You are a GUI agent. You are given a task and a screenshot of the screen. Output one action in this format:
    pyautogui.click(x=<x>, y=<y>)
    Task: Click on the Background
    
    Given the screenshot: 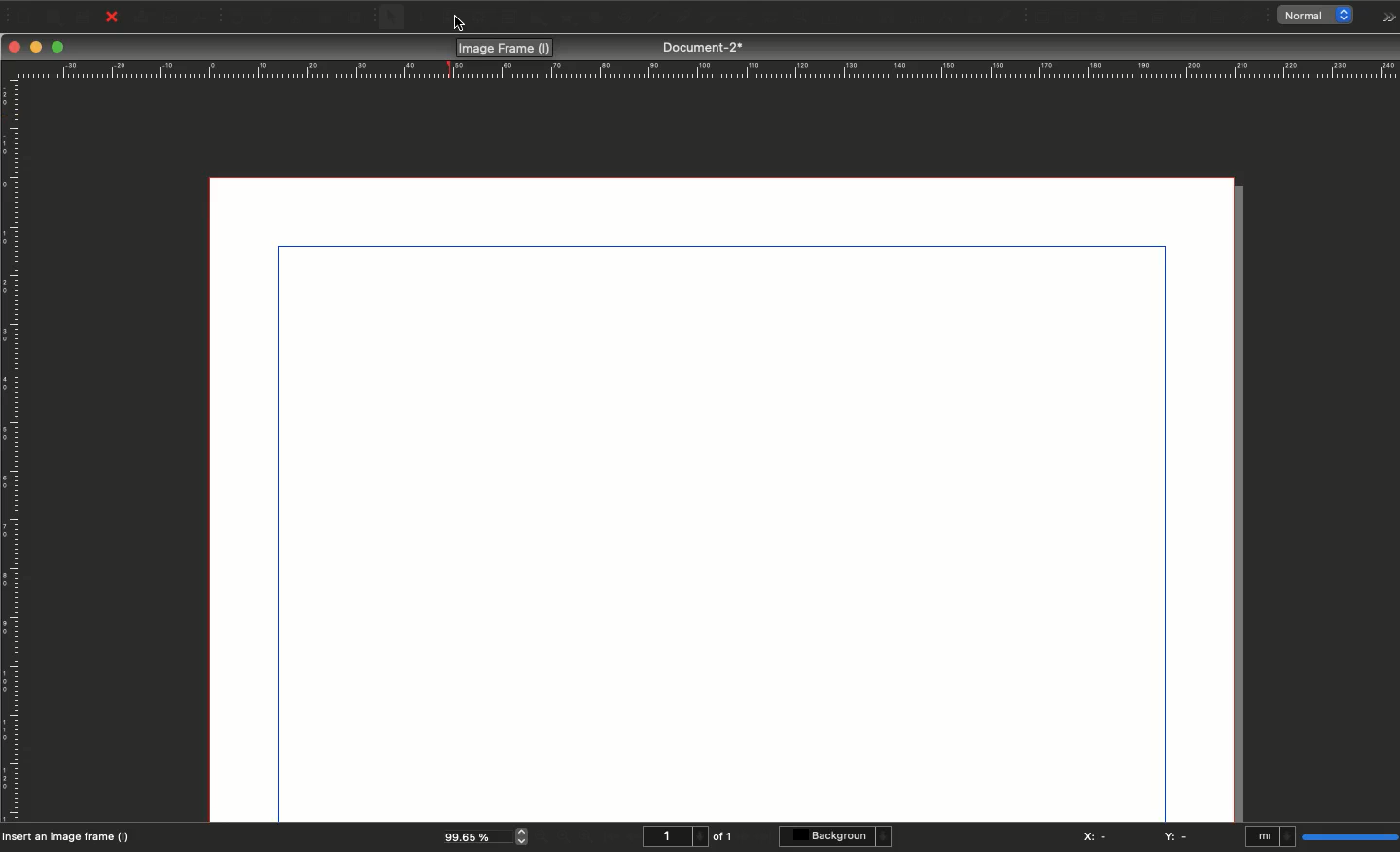 What is the action you would take?
    pyautogui.click(x=838, y=836)
    